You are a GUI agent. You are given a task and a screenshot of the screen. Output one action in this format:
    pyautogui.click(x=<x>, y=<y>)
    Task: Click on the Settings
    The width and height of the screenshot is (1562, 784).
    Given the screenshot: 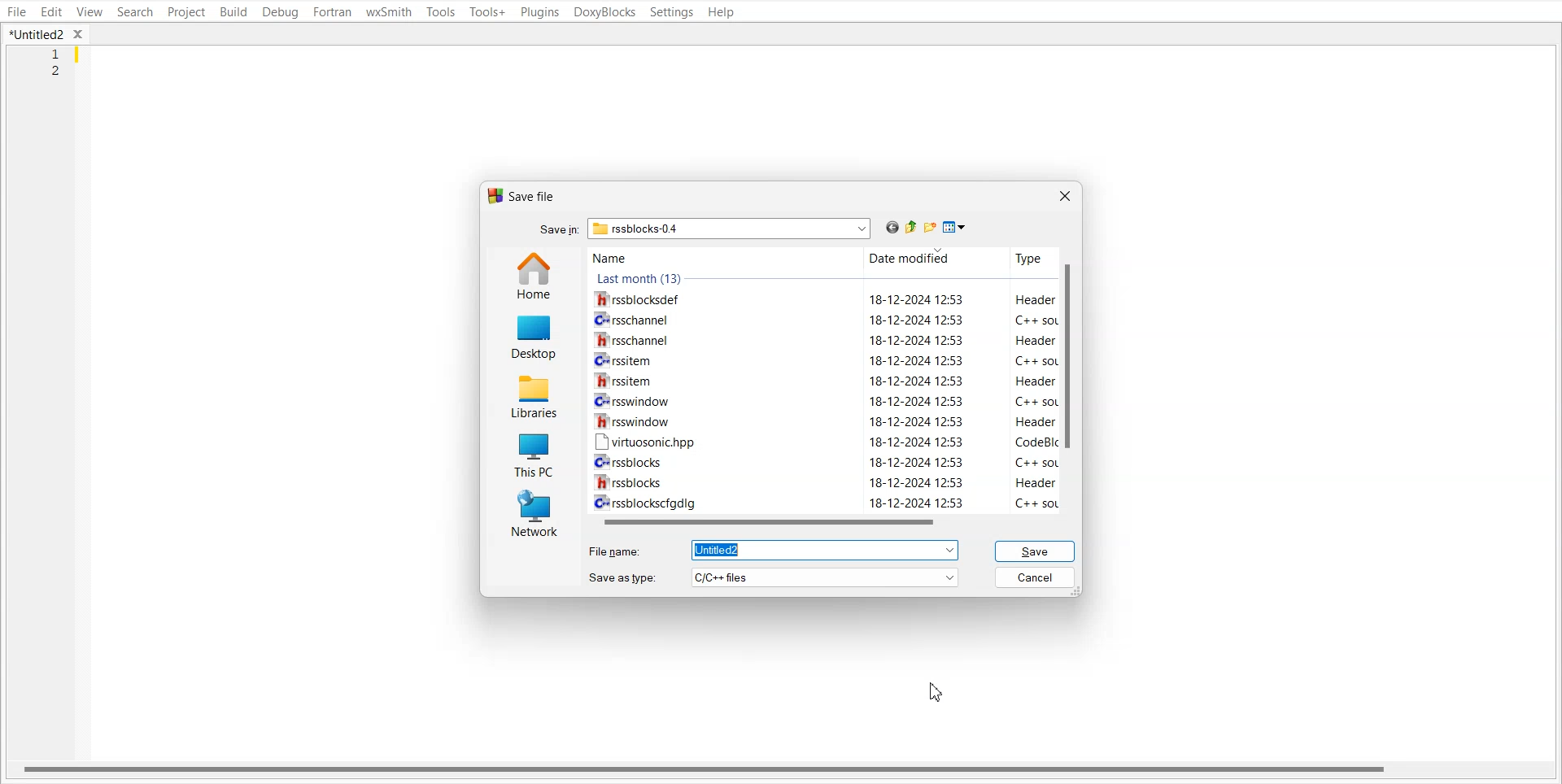 What is the action you would take?
    pyautogui.click(x=671, y=11)
    